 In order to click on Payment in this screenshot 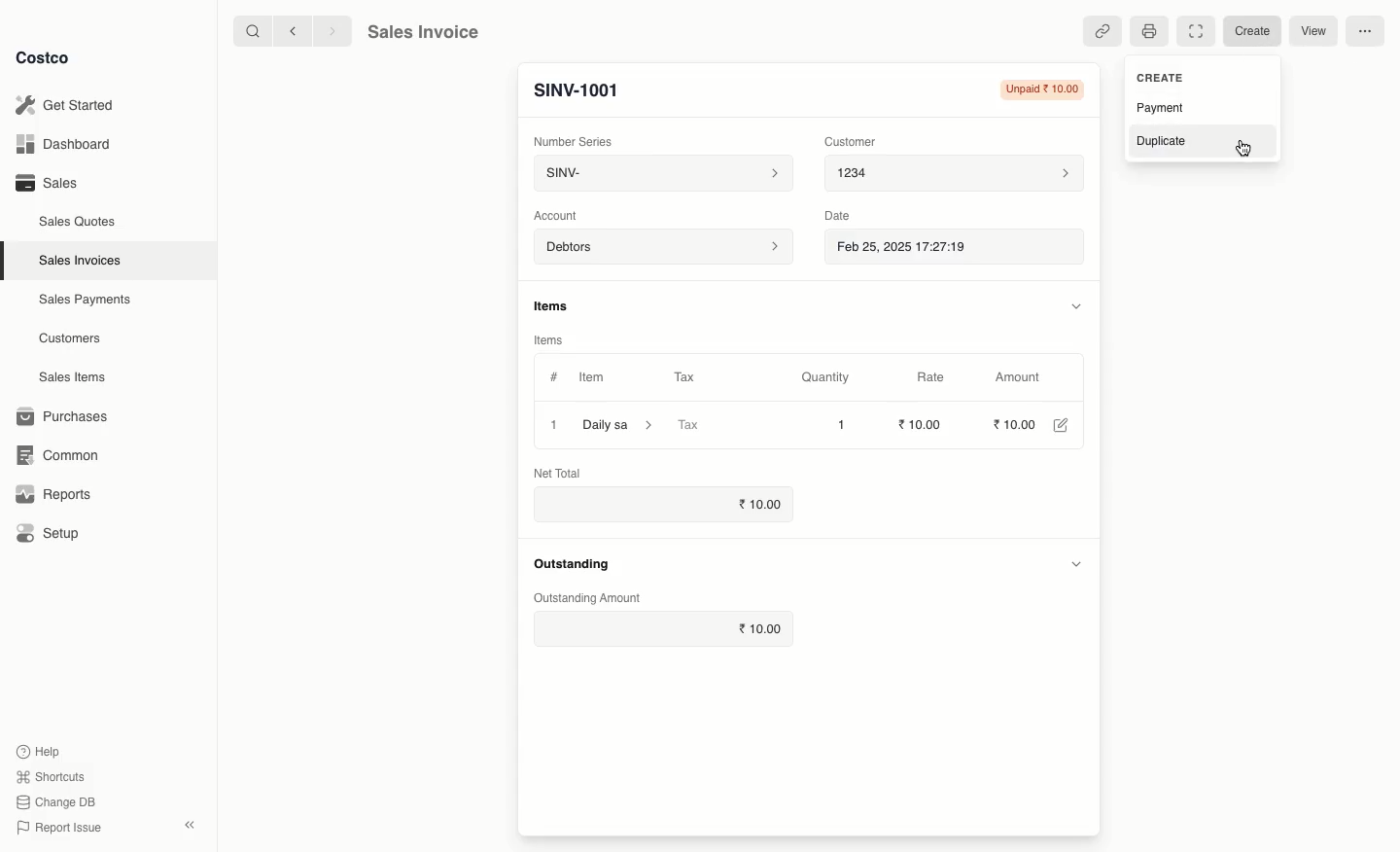, I will do `click(1164, 107)`.